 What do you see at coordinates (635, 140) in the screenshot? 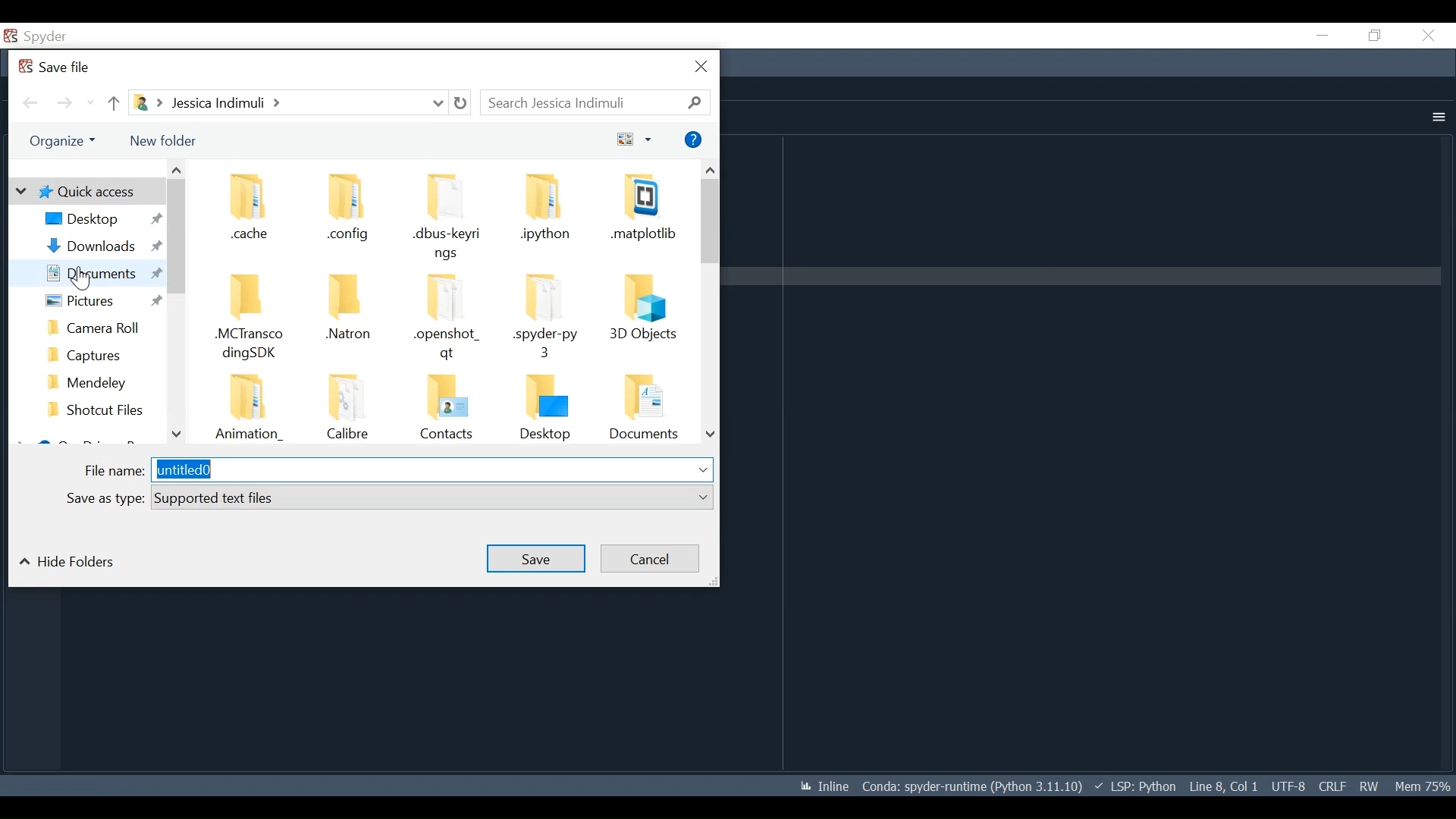
I see `Change your view` at bounding box center [635, 140].